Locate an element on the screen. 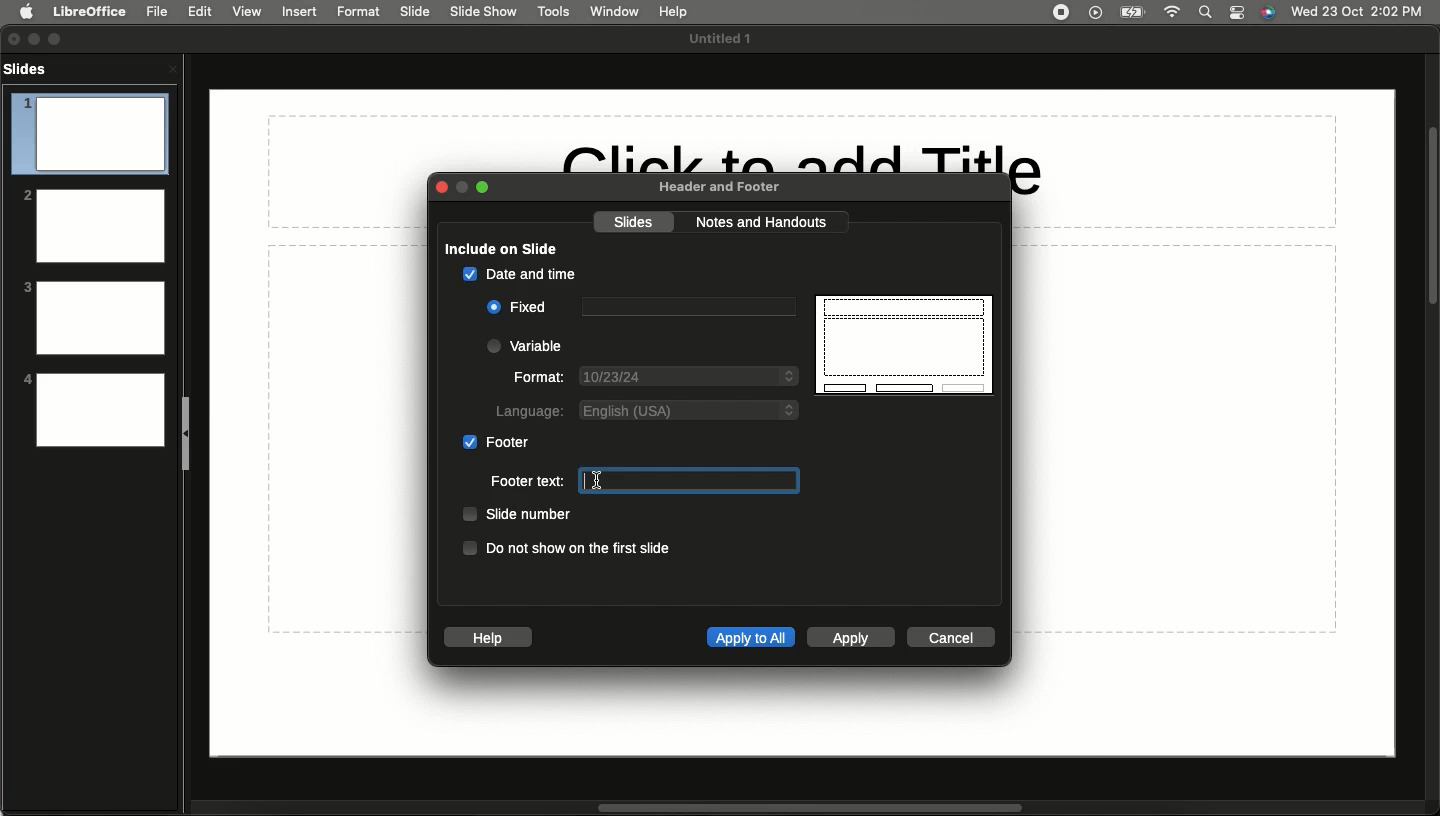 Image resolution: width=1440 pixels, height=816 pixels. Fixed is located at coordinates (519, 308).